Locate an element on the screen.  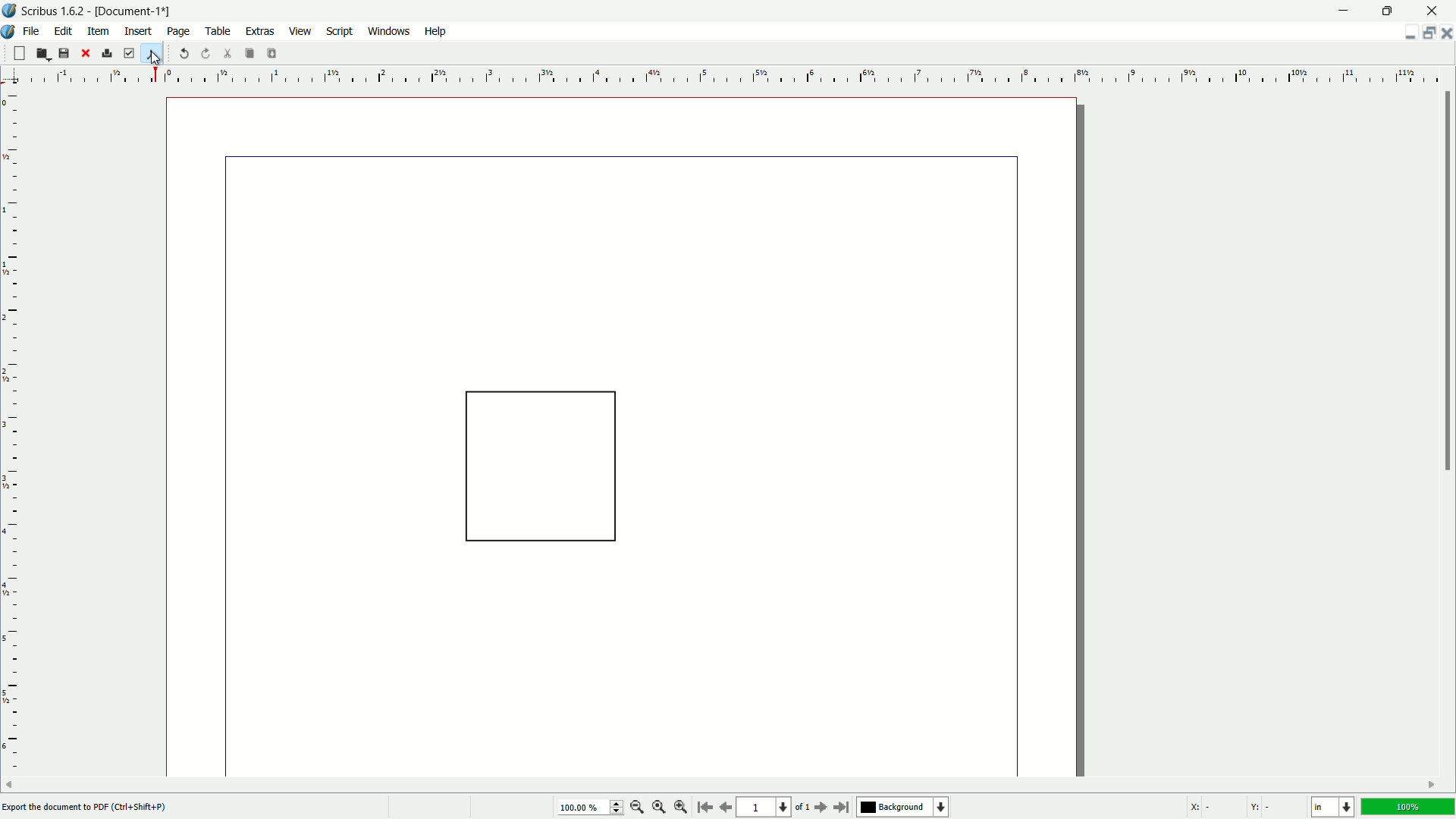
extras menu is located at coordinates (259, 32).